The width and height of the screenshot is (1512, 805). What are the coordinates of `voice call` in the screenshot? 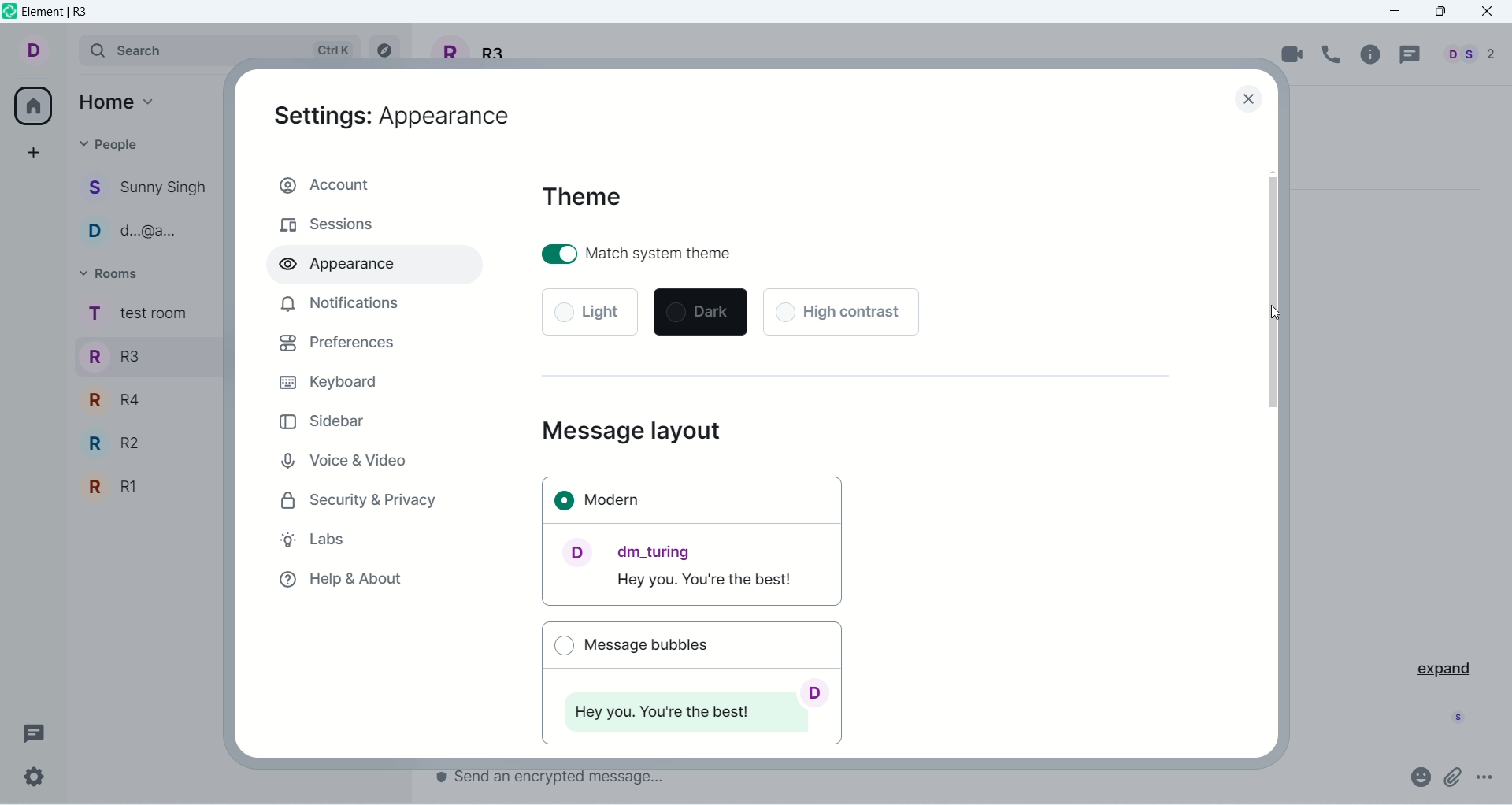 It's located at (1335, 54).